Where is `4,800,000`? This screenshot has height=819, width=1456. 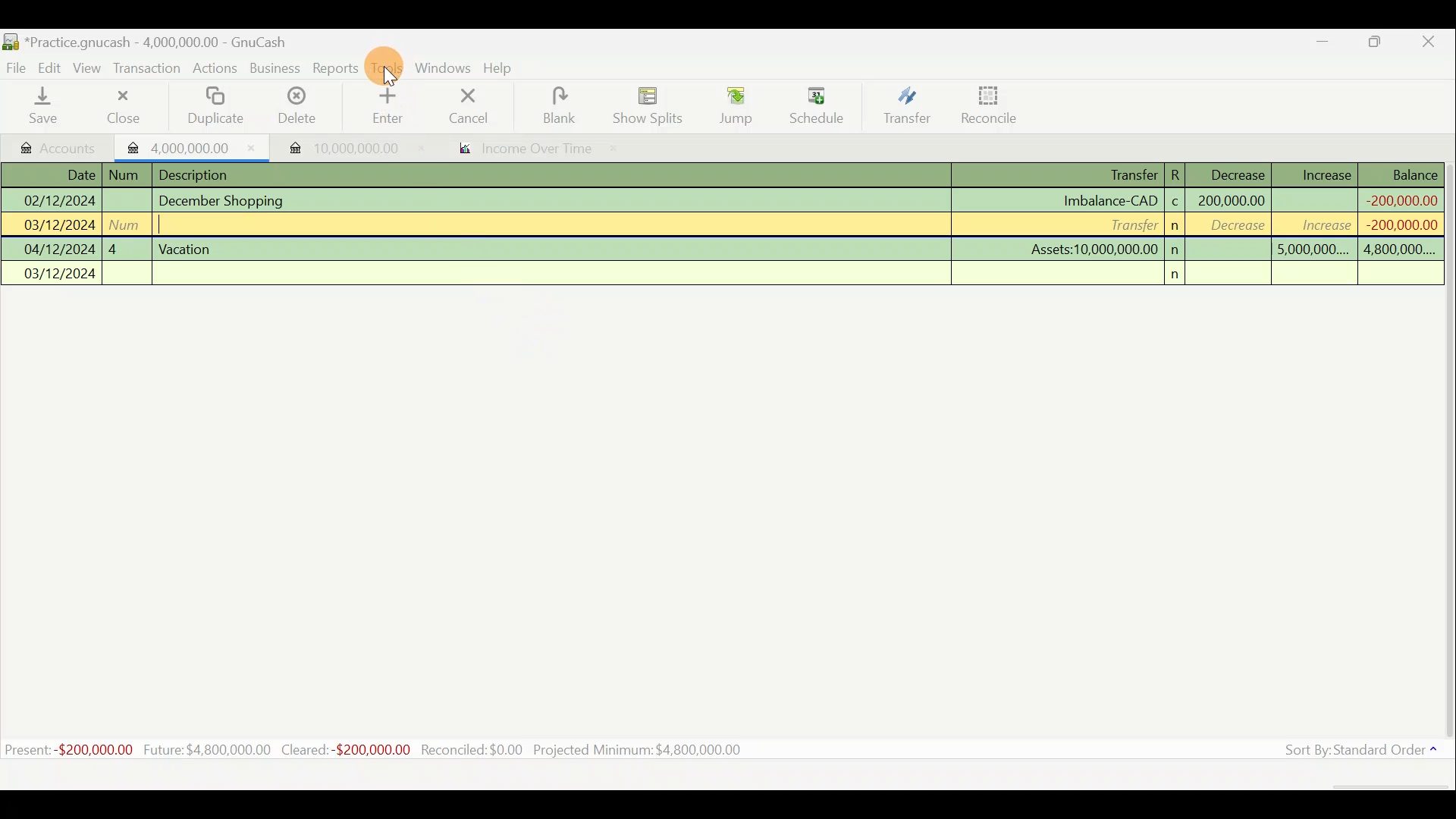
4,800,000 is located at coordinates (1398, 250).